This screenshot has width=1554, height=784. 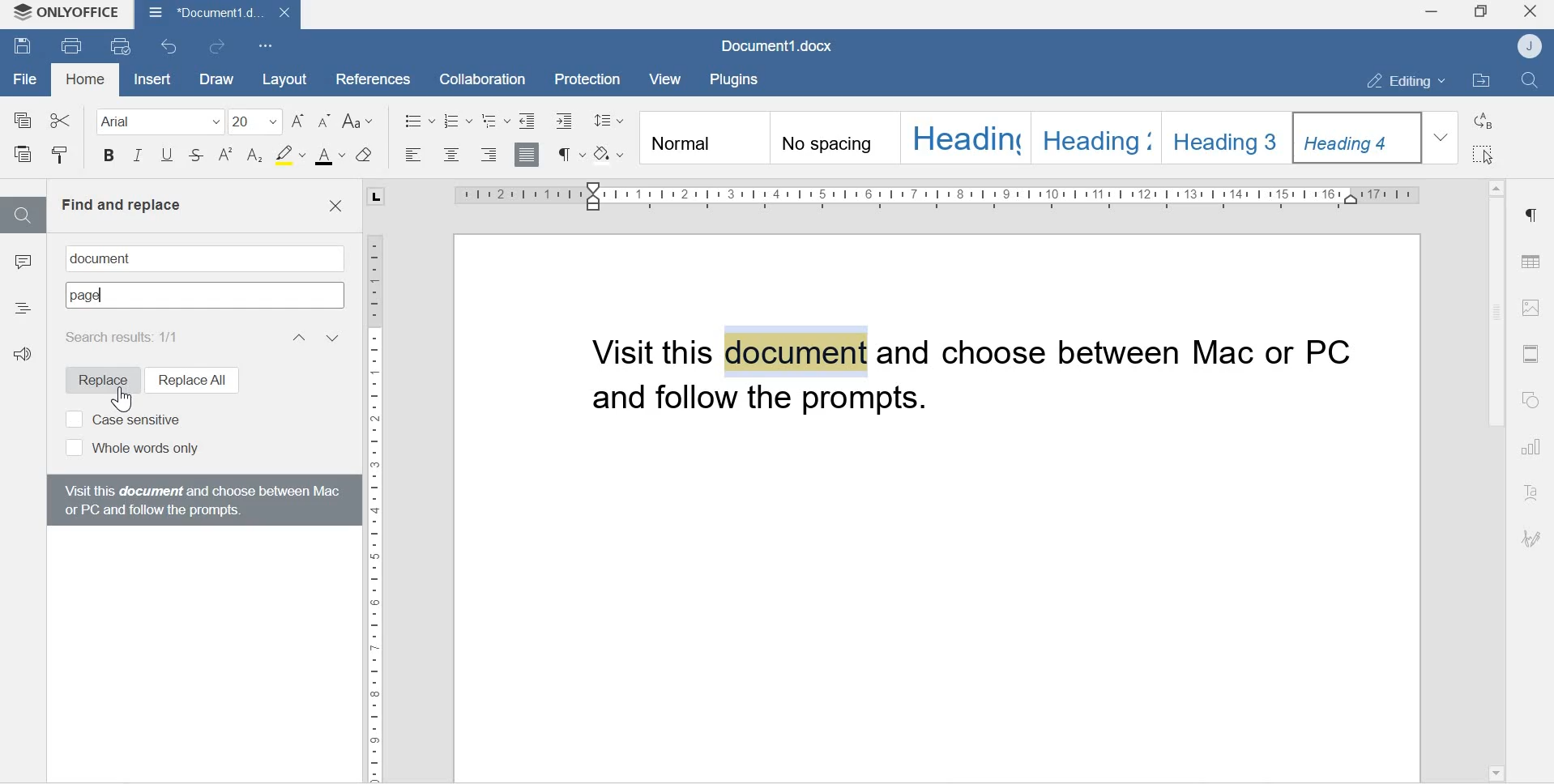 I want to click on Print file, so click(x=73, y=45).